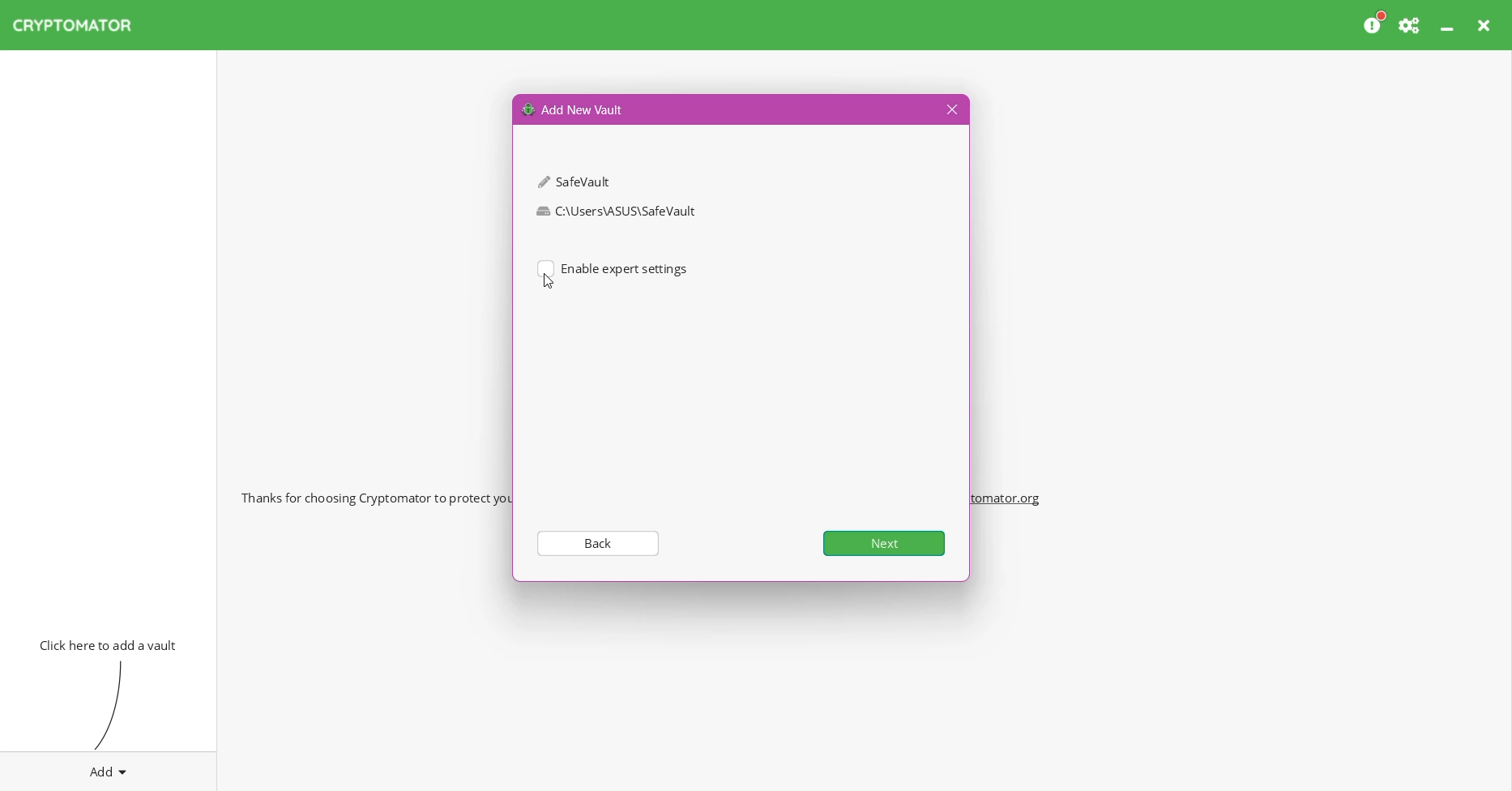 The image size is (1512, 791). Describe the element at coordinates (574, 109) in the screenshot. I see `Add New Vault` at that location.